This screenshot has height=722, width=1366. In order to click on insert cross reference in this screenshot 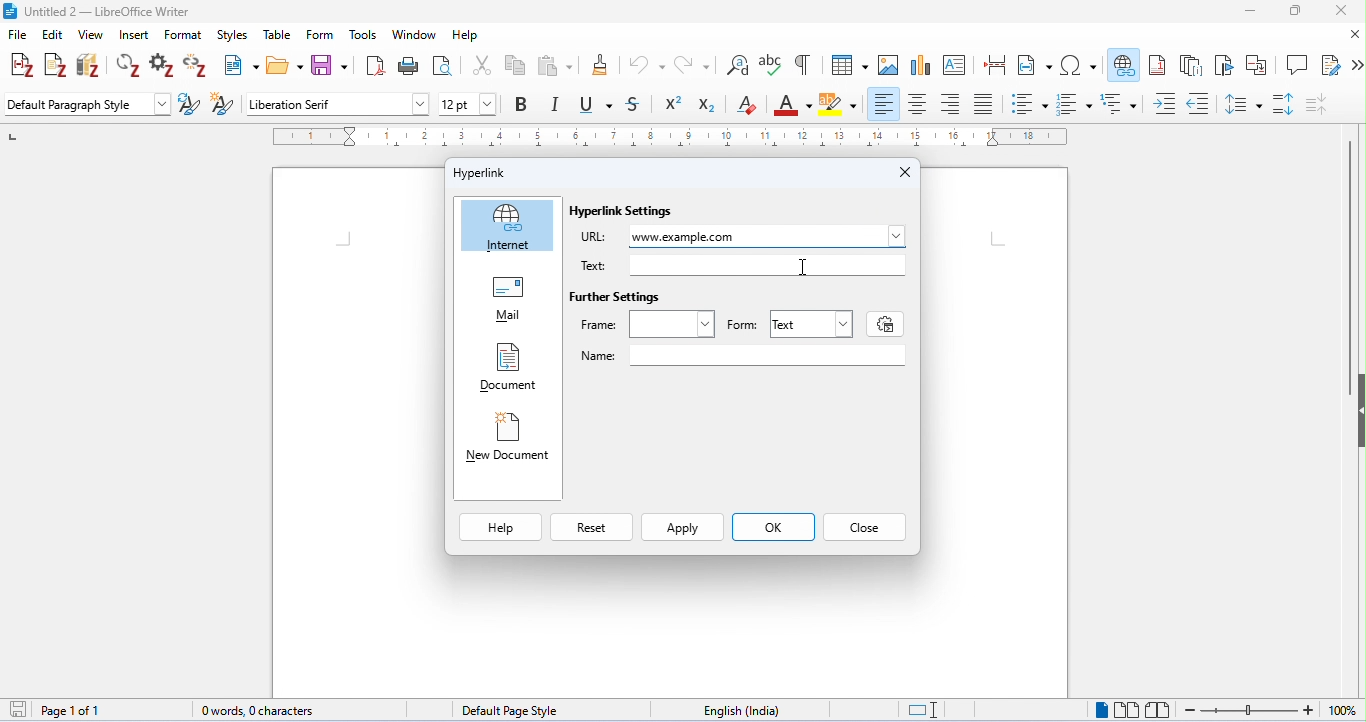, I will do `click(1258, 65)`.